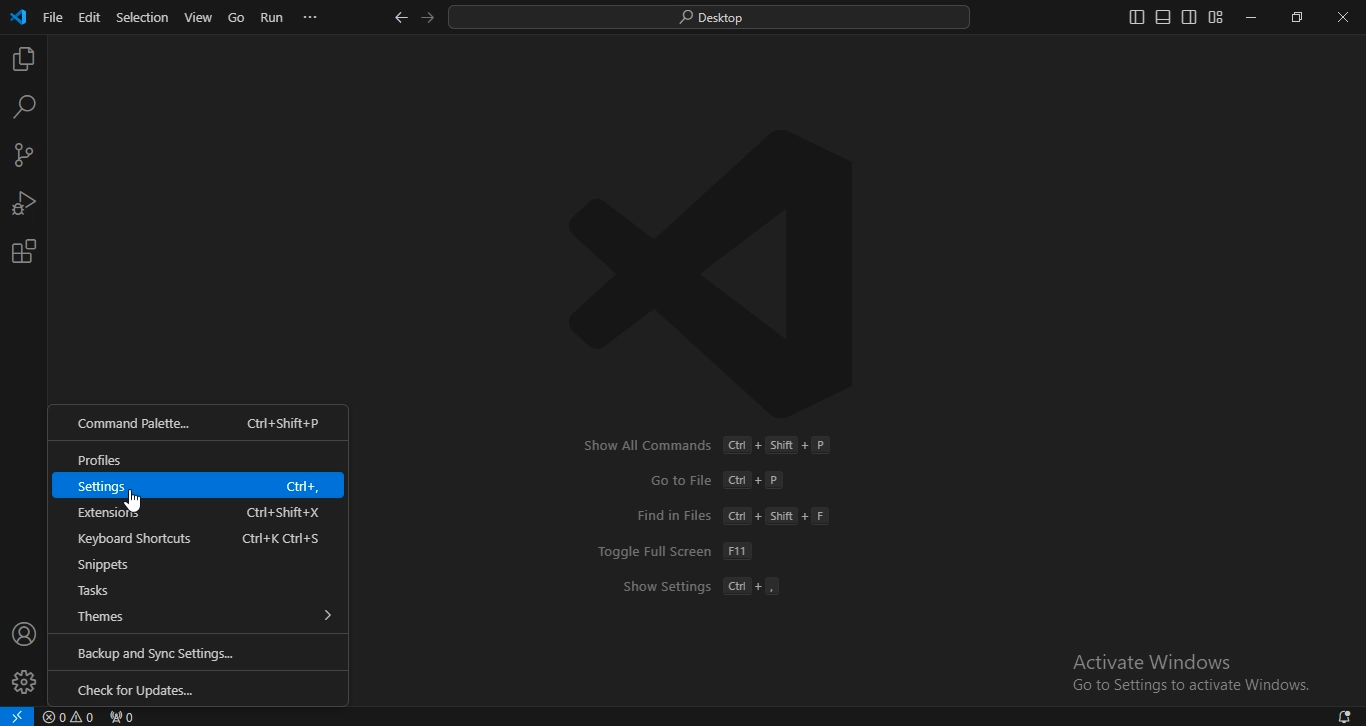 Image resolution: width=1366 pixels, height=726 pixels. I want to click on search, so click(23, 108).